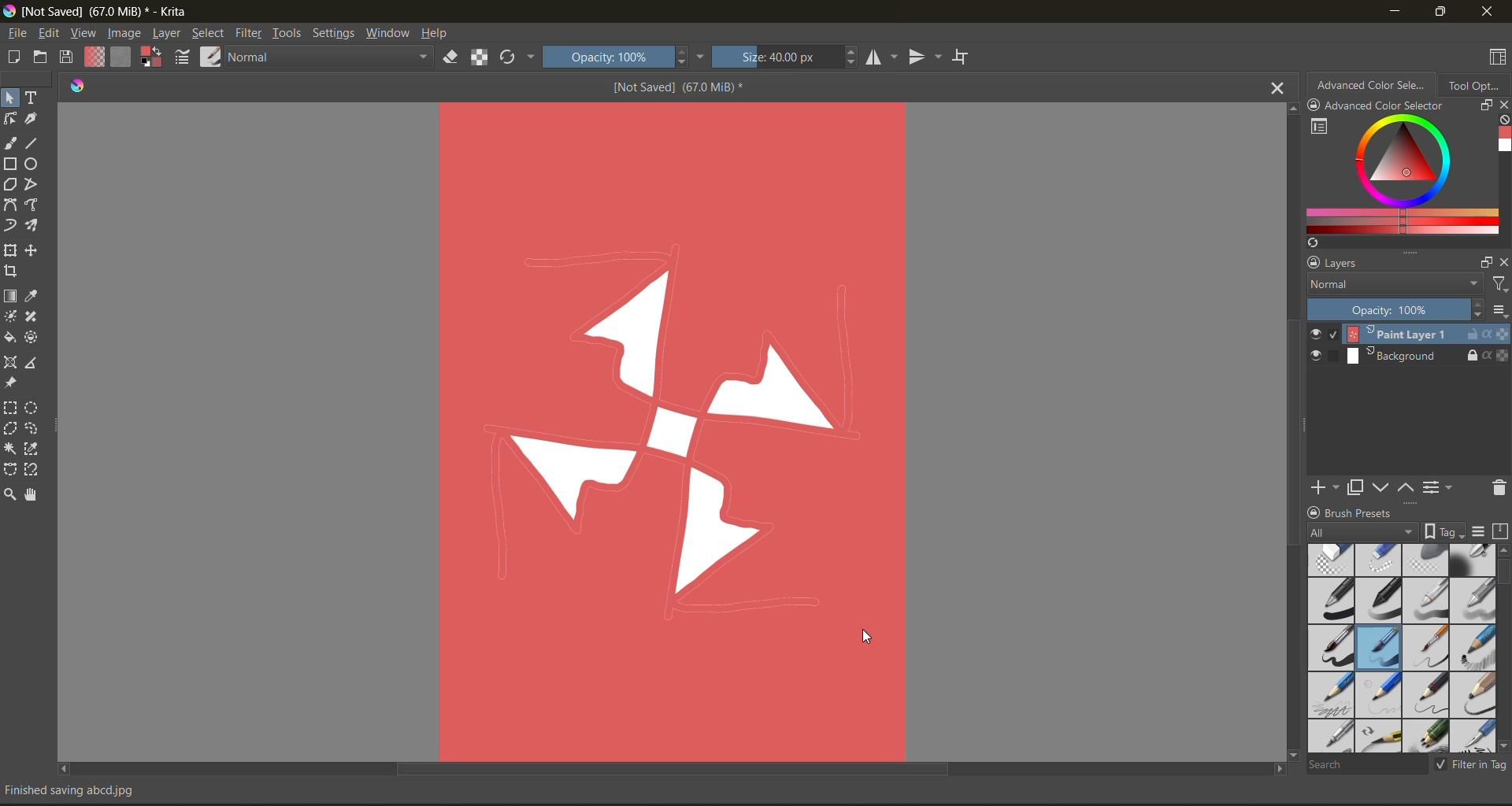 This screenshot has height=806, width=1512. I want to click on tools, so click(10, 315).